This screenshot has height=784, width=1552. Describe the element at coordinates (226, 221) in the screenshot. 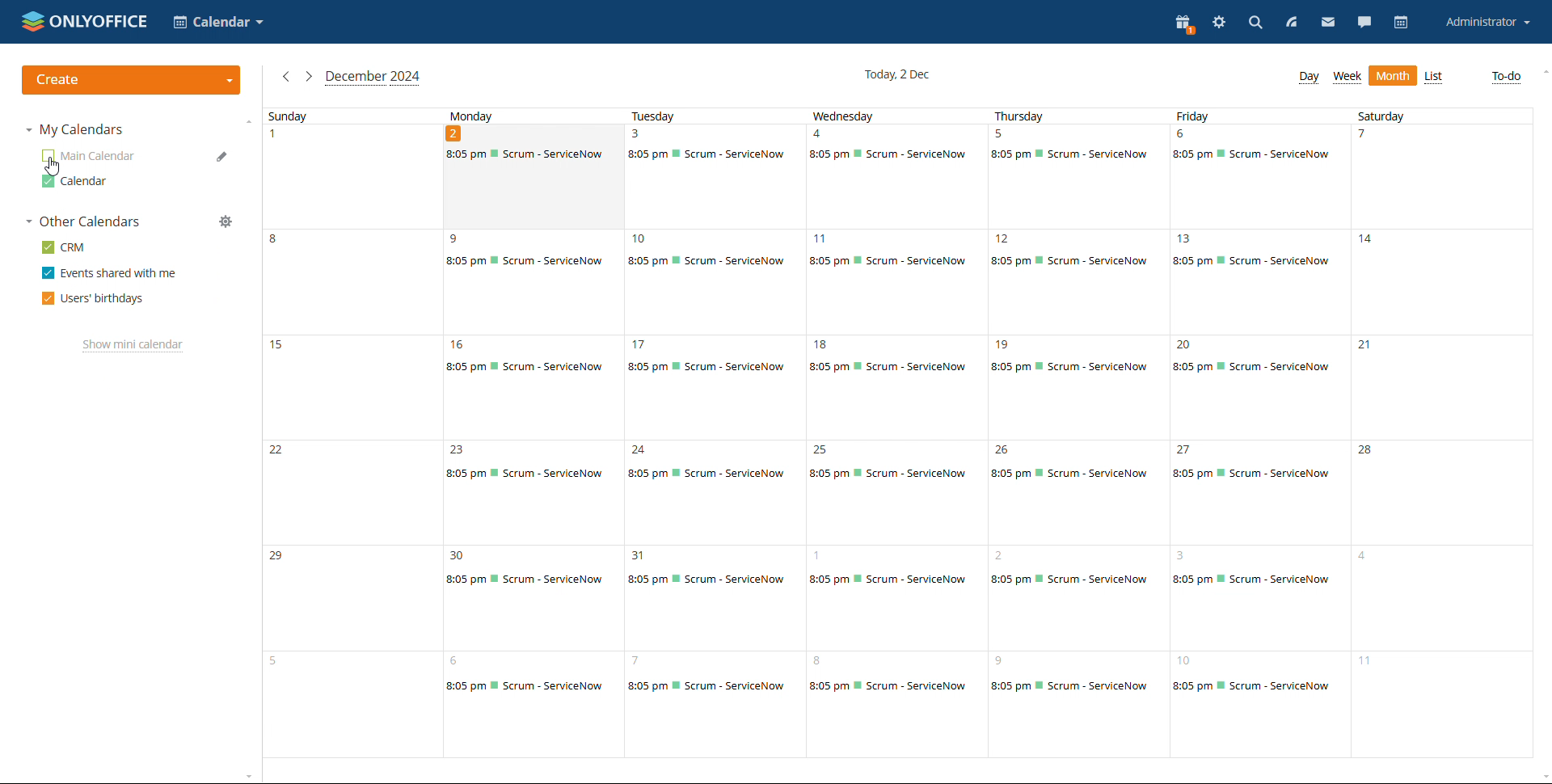

I see `manage` at that location.